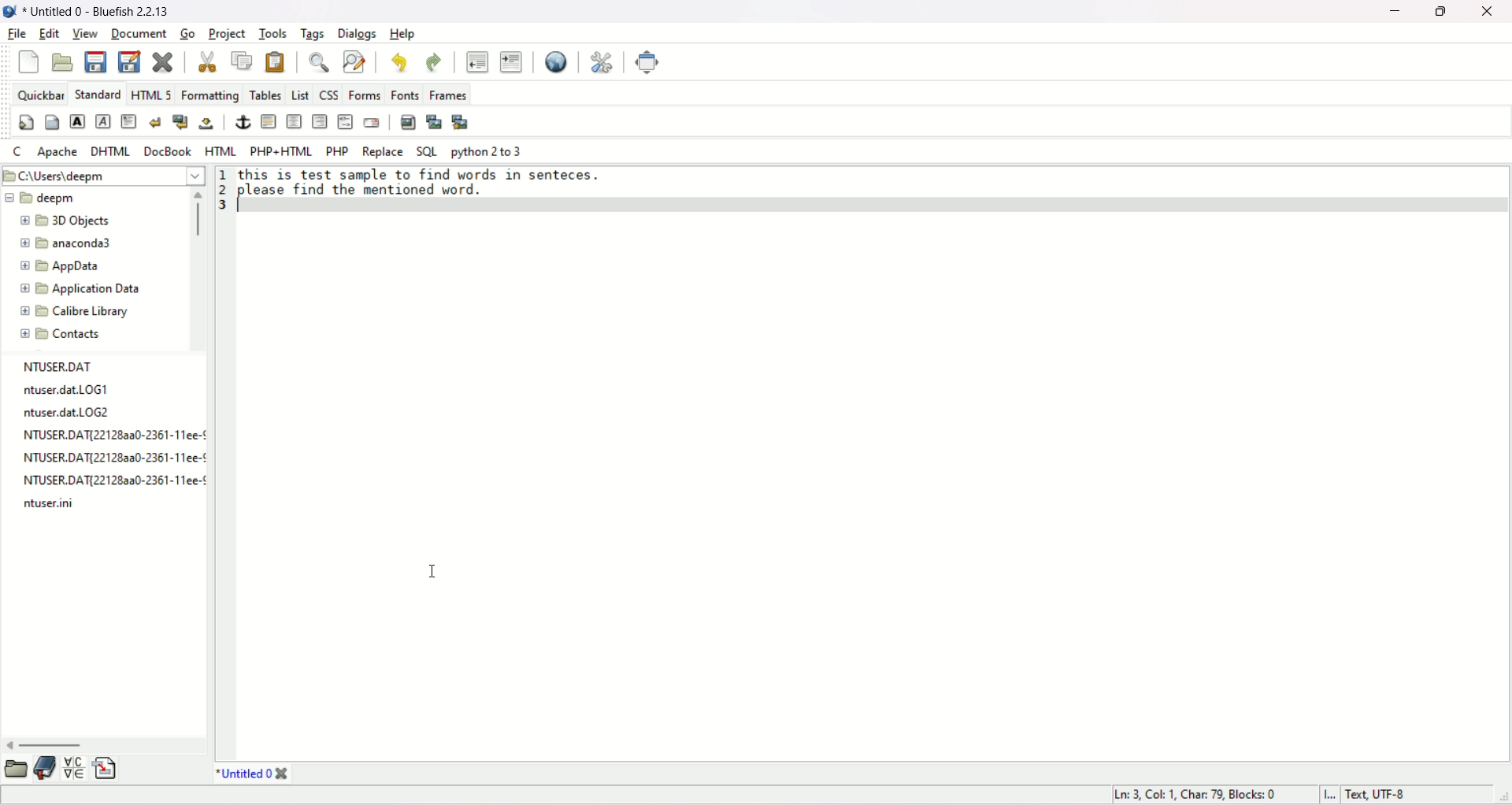  Describe the element at coordinates (239, 60) in the screenshot. I see `copy` at that location.